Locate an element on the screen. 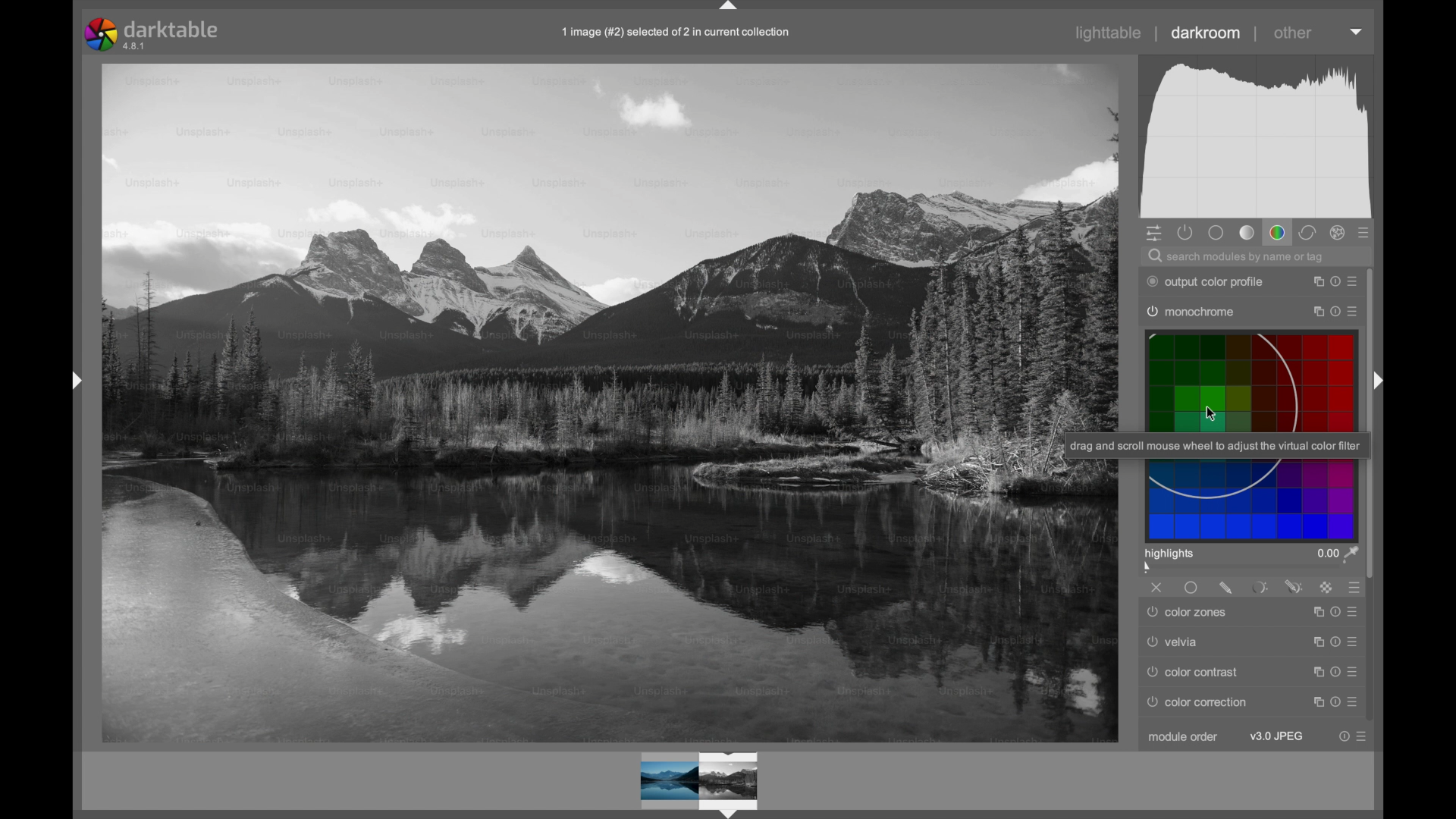 The height and width of the screenshot is (819, 1456). color is located at coordinates (1277, 233).